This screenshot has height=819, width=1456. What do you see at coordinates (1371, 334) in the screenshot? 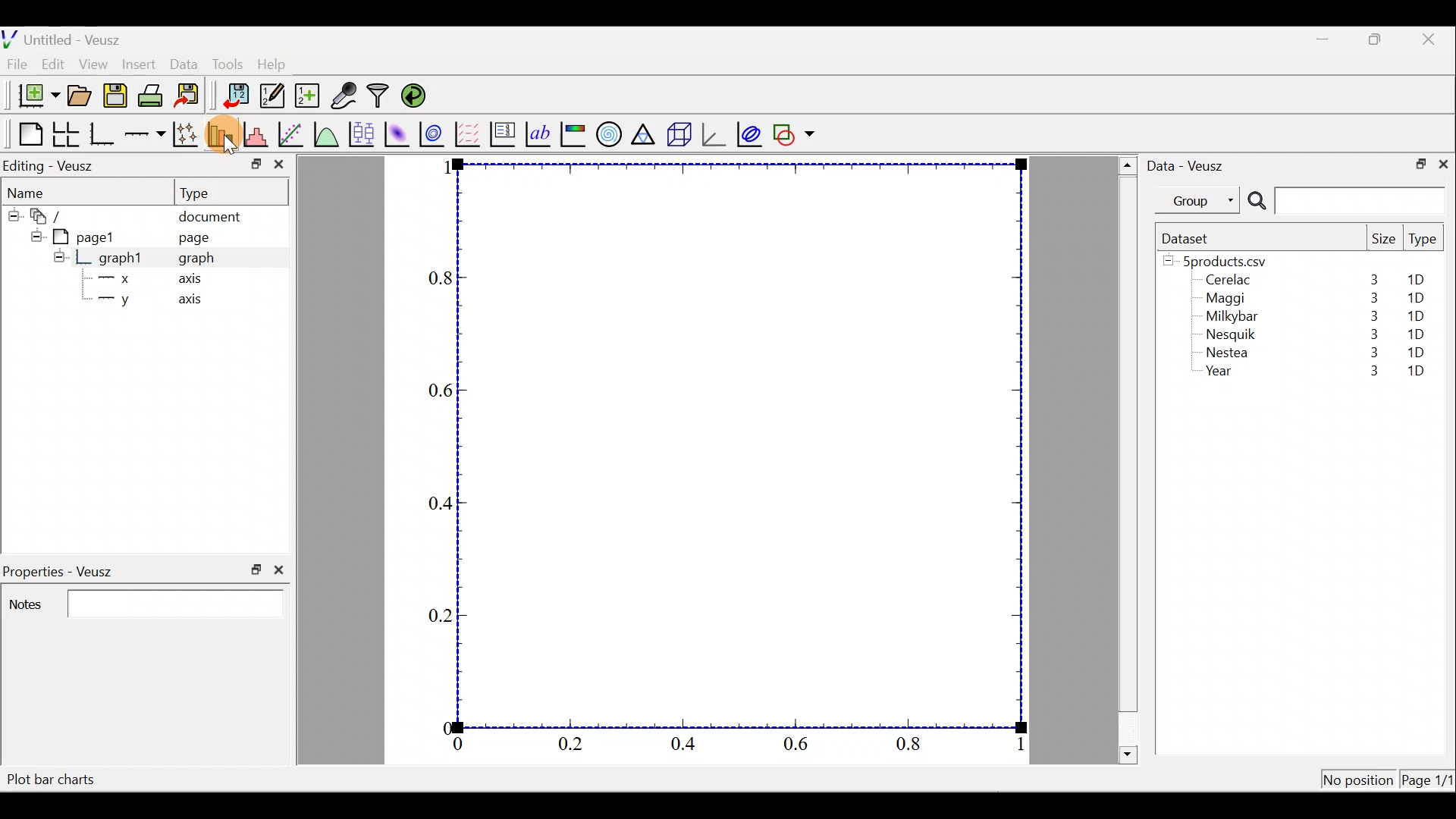
I see `3` at bounding box center [1371, 334].